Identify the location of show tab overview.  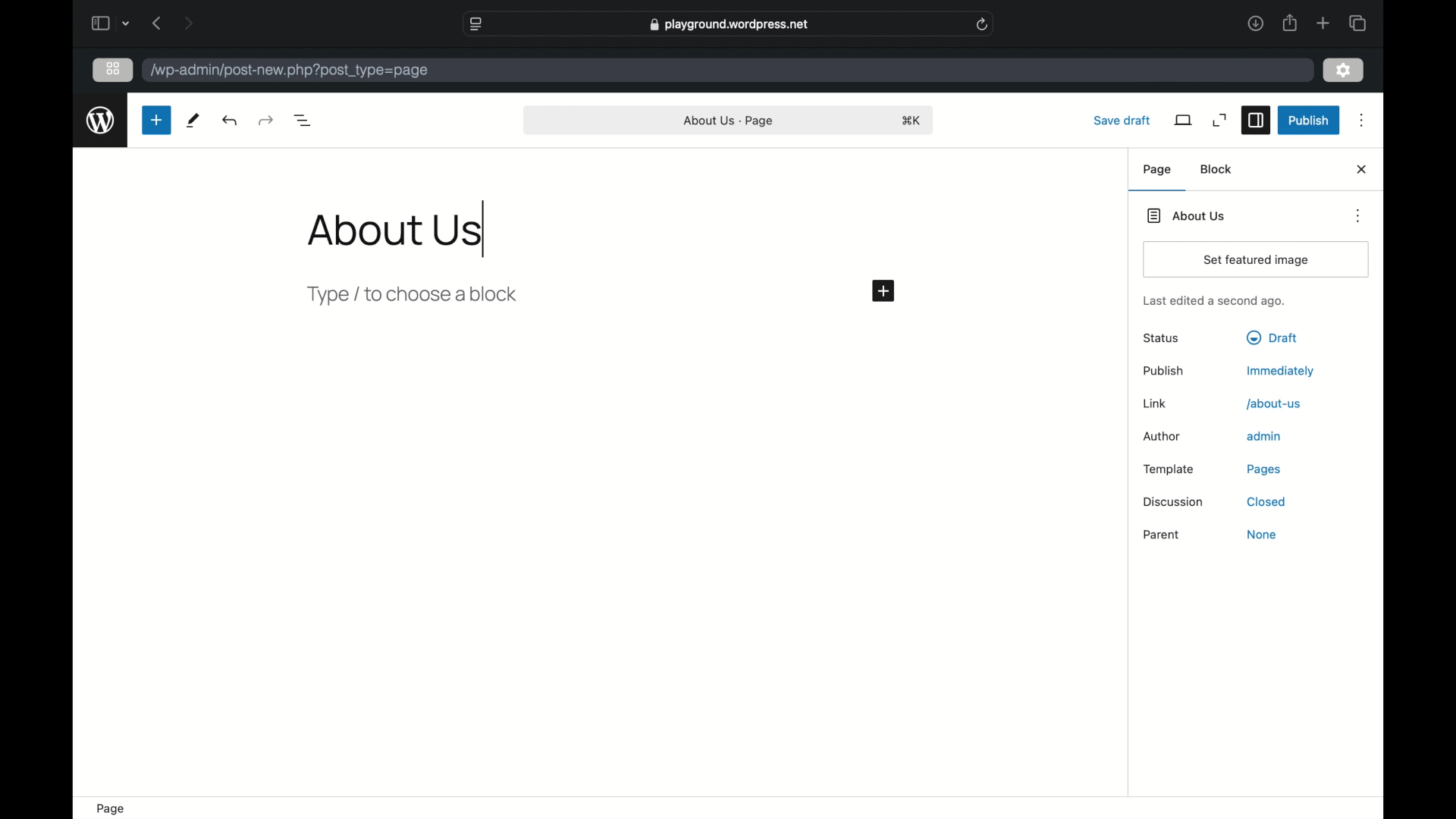
(1359, 24).